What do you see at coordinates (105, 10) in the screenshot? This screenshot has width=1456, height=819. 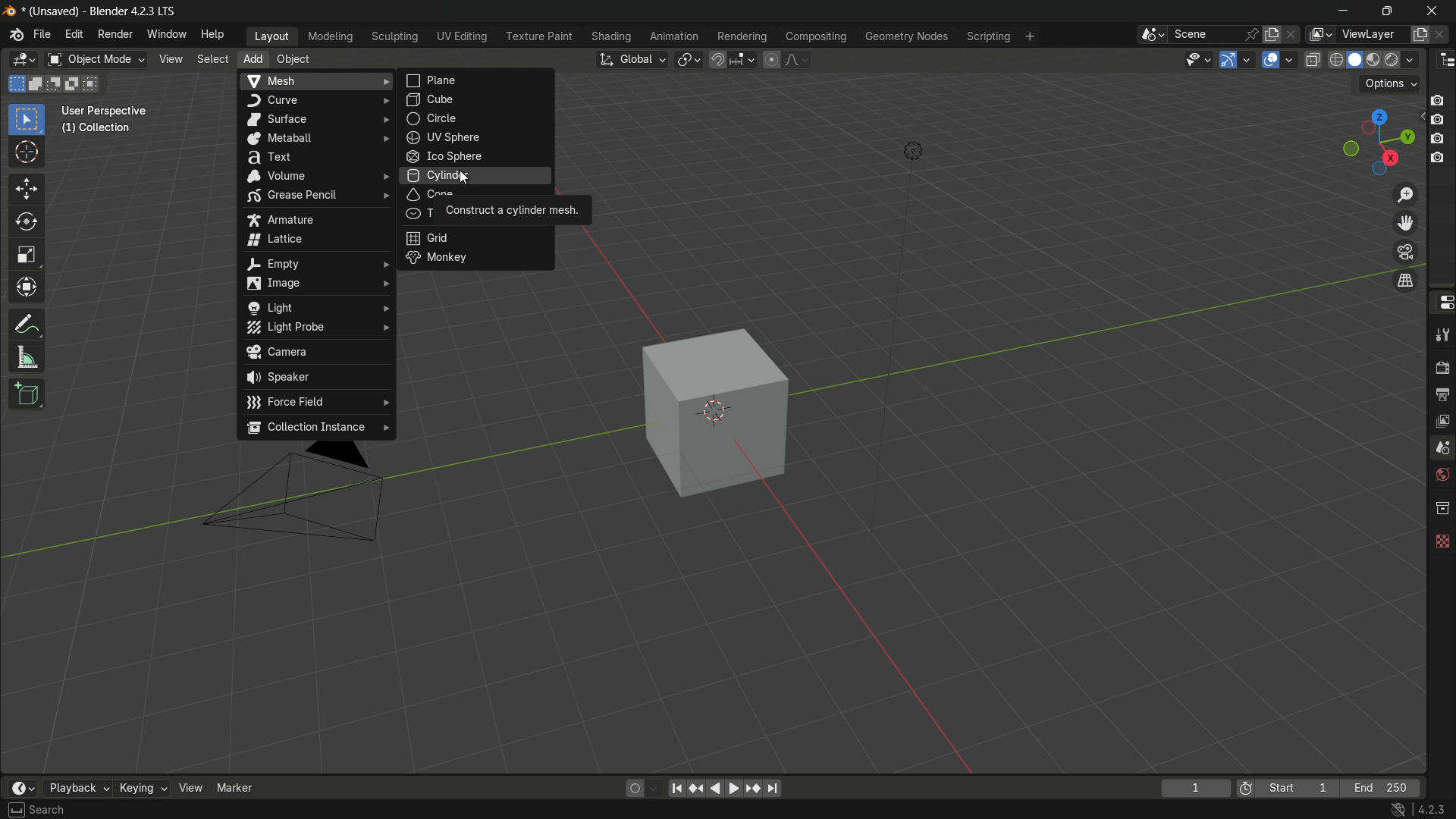 I see `unsaved blender 4.2.3 lts` at bounding box center [105, 10].